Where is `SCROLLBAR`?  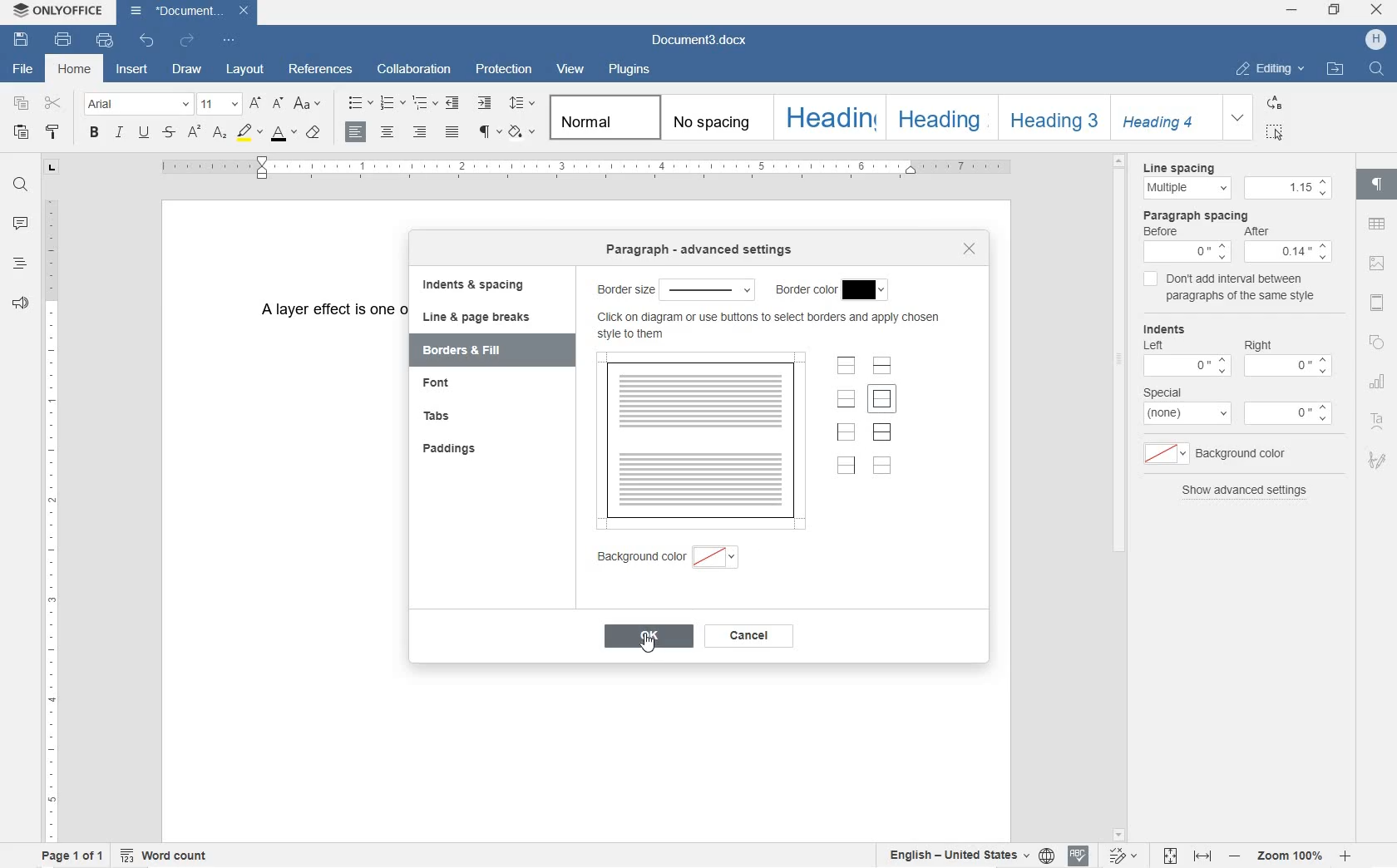 SCROLLBAR is located at coordinates (1121, 496).